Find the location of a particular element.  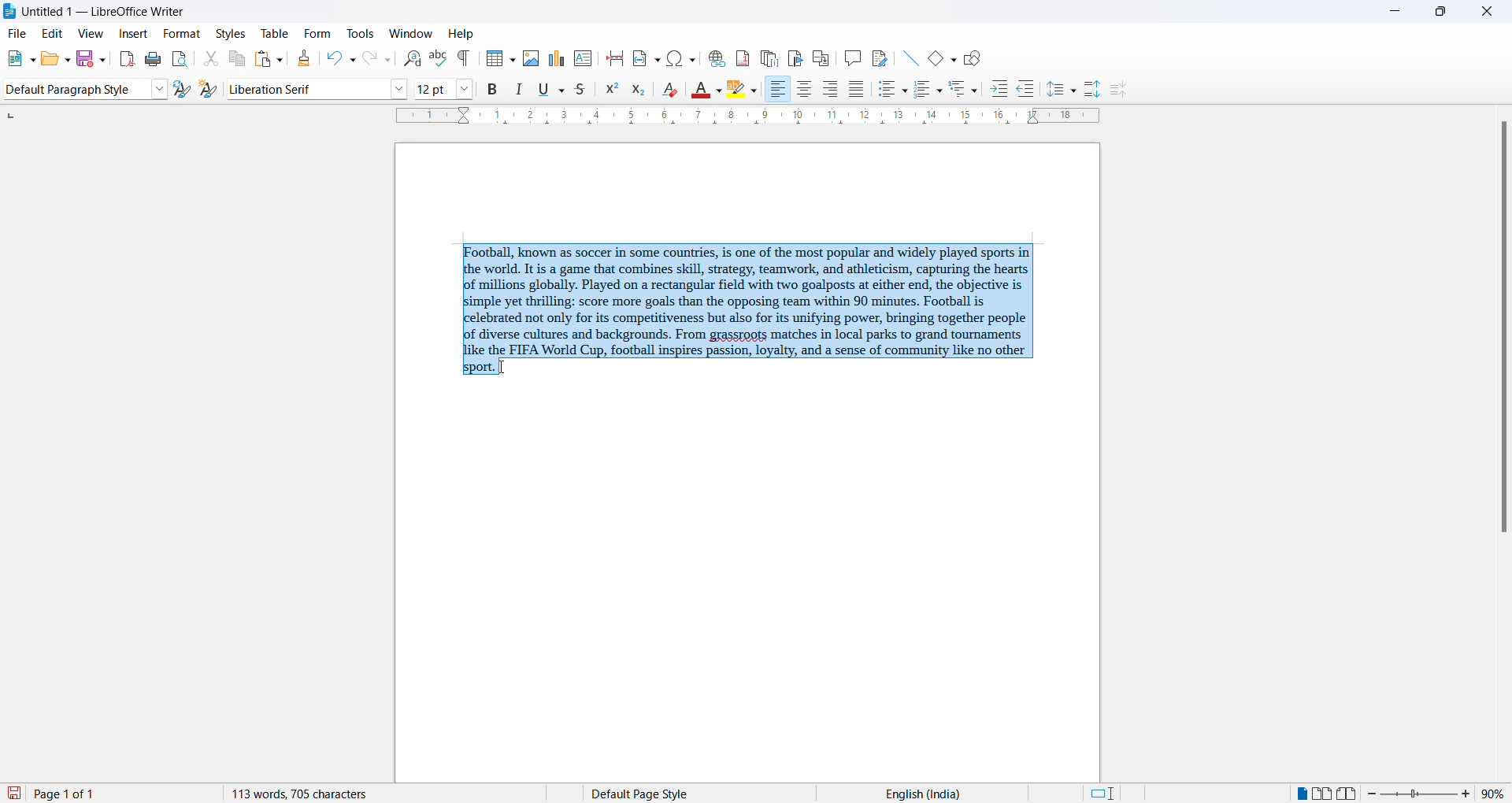

decrease paragraph spacing is located at coordinates (1121, 90).